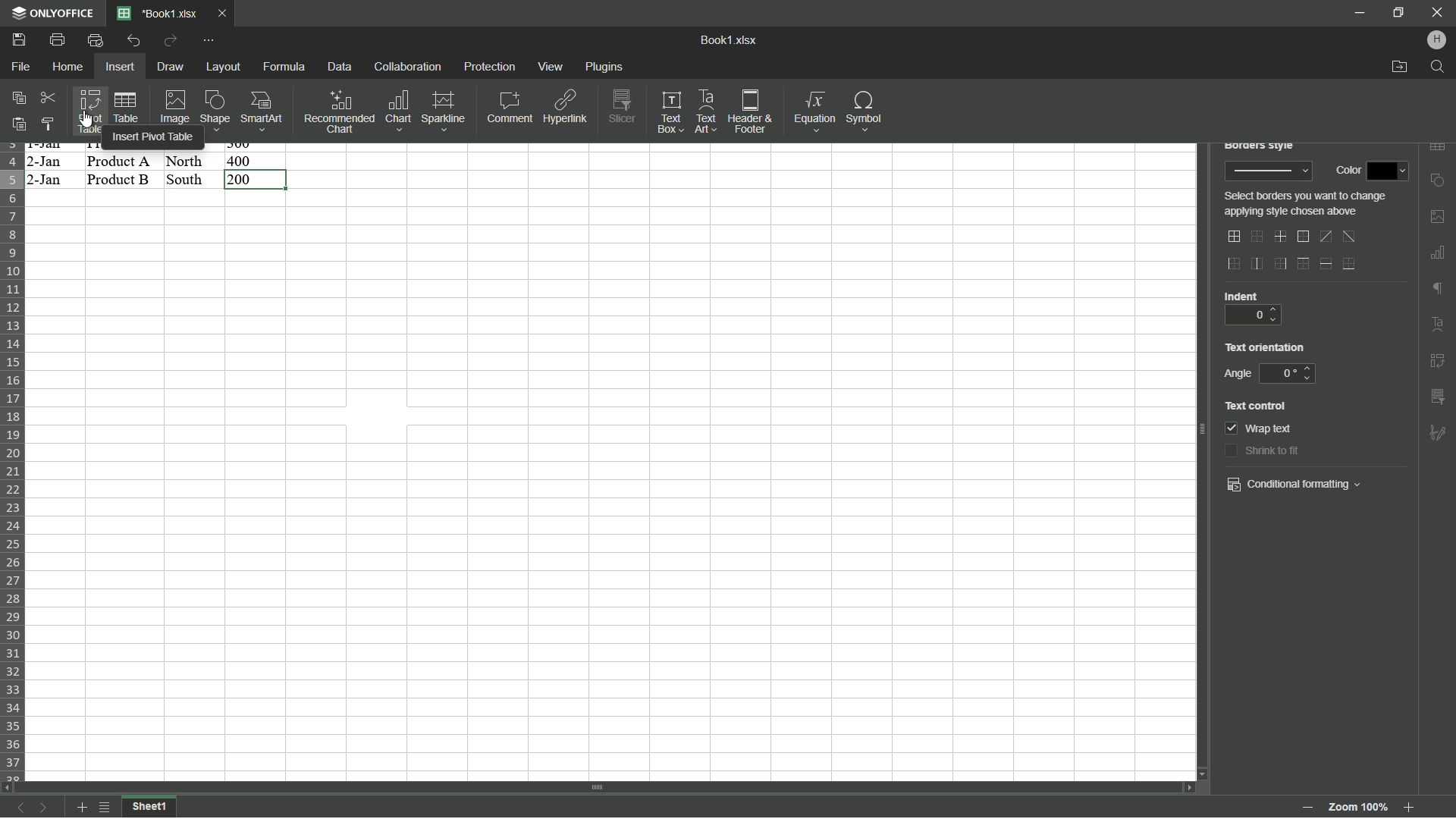 The width and height of the screenshot is (1456, 819). I want to click on color, so click(1348, 170).